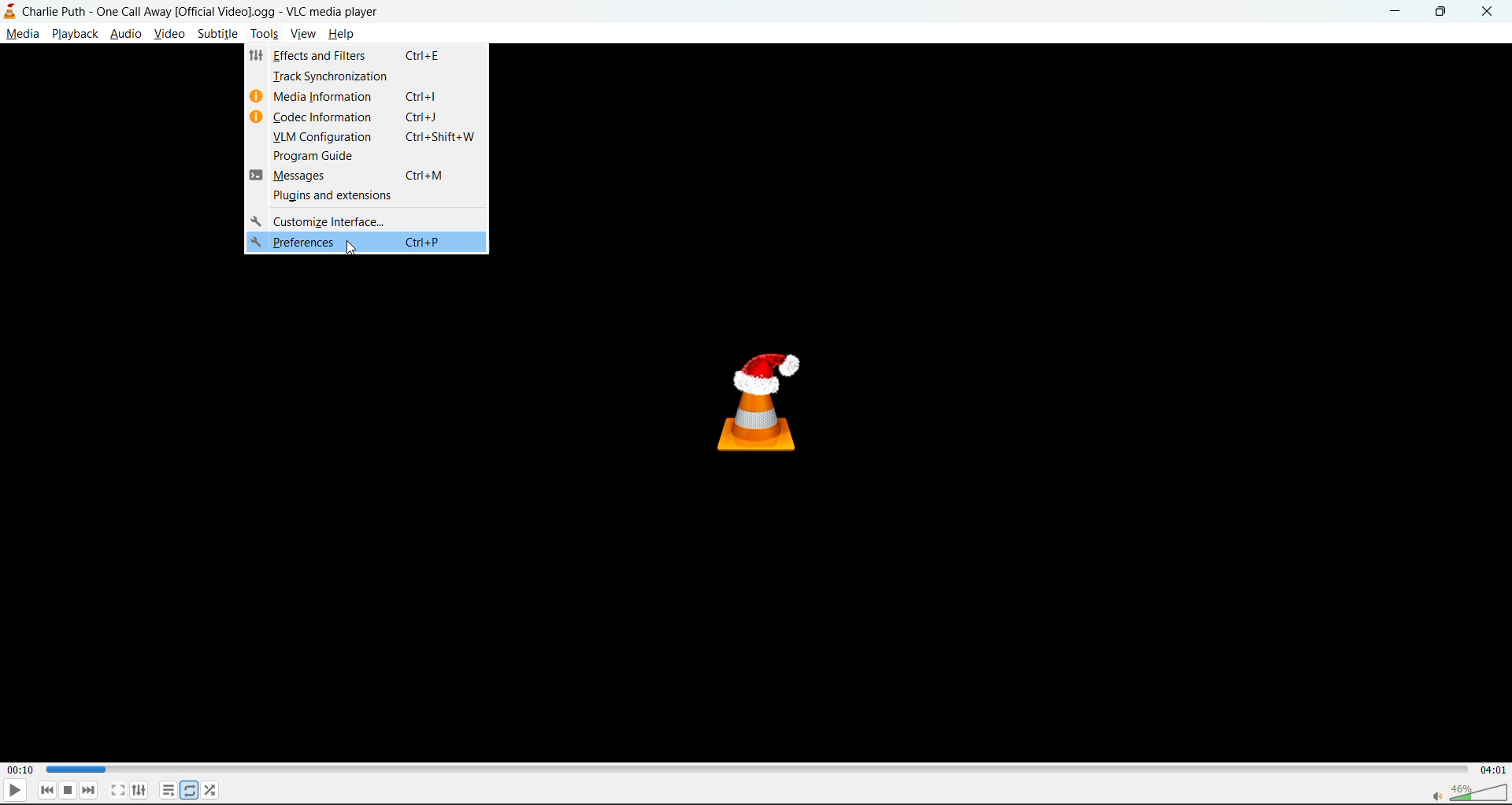 The image size is (1512, 805). Describe the element at coordinates (220, 35) in the screenshot. I see `subtitle` at that location.